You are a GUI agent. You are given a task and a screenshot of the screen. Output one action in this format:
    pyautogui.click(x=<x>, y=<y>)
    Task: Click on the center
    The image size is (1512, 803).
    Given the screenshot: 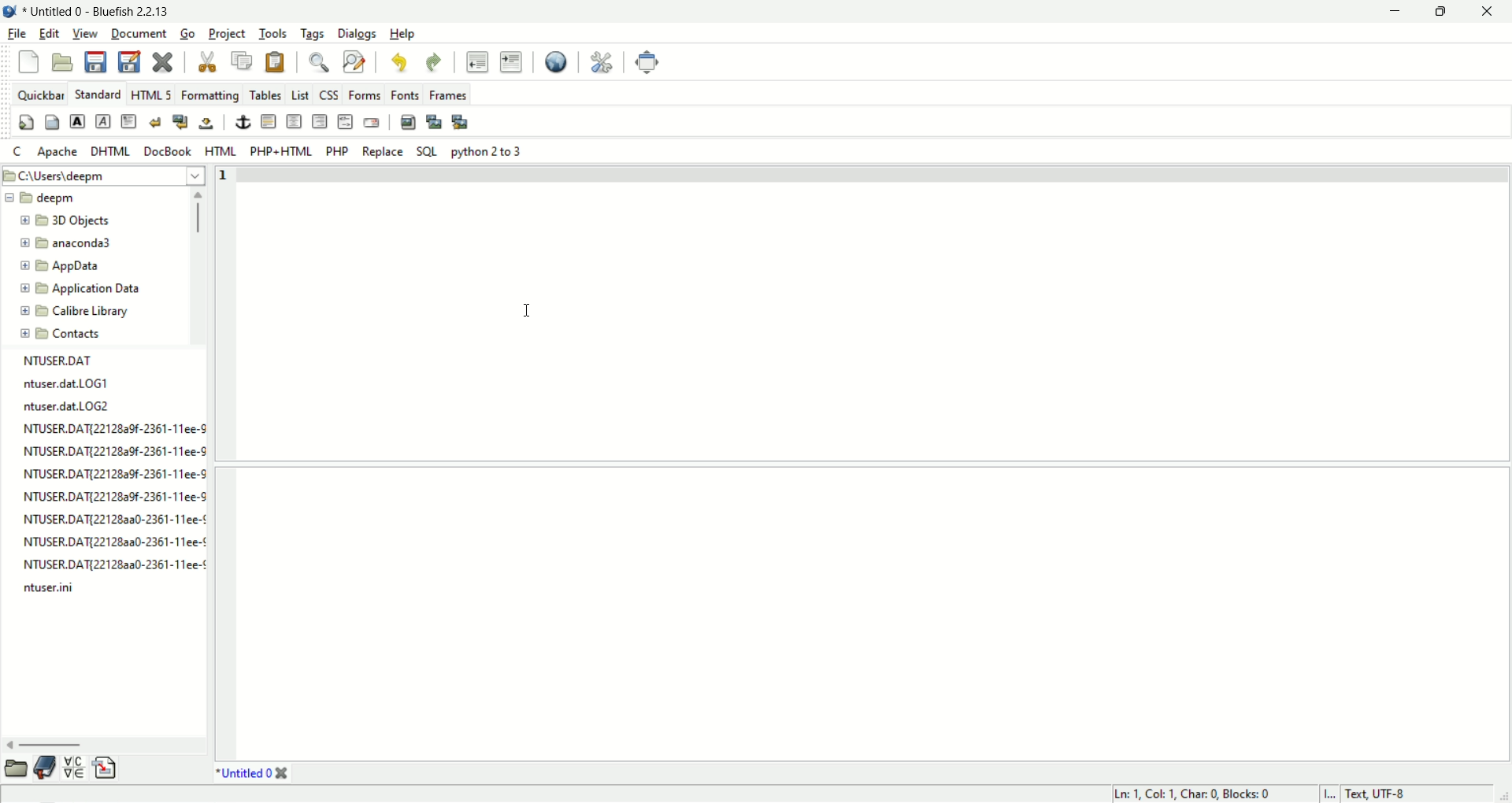 What is the action you would take?
    pyautogui.click(x=294, y=121)
    